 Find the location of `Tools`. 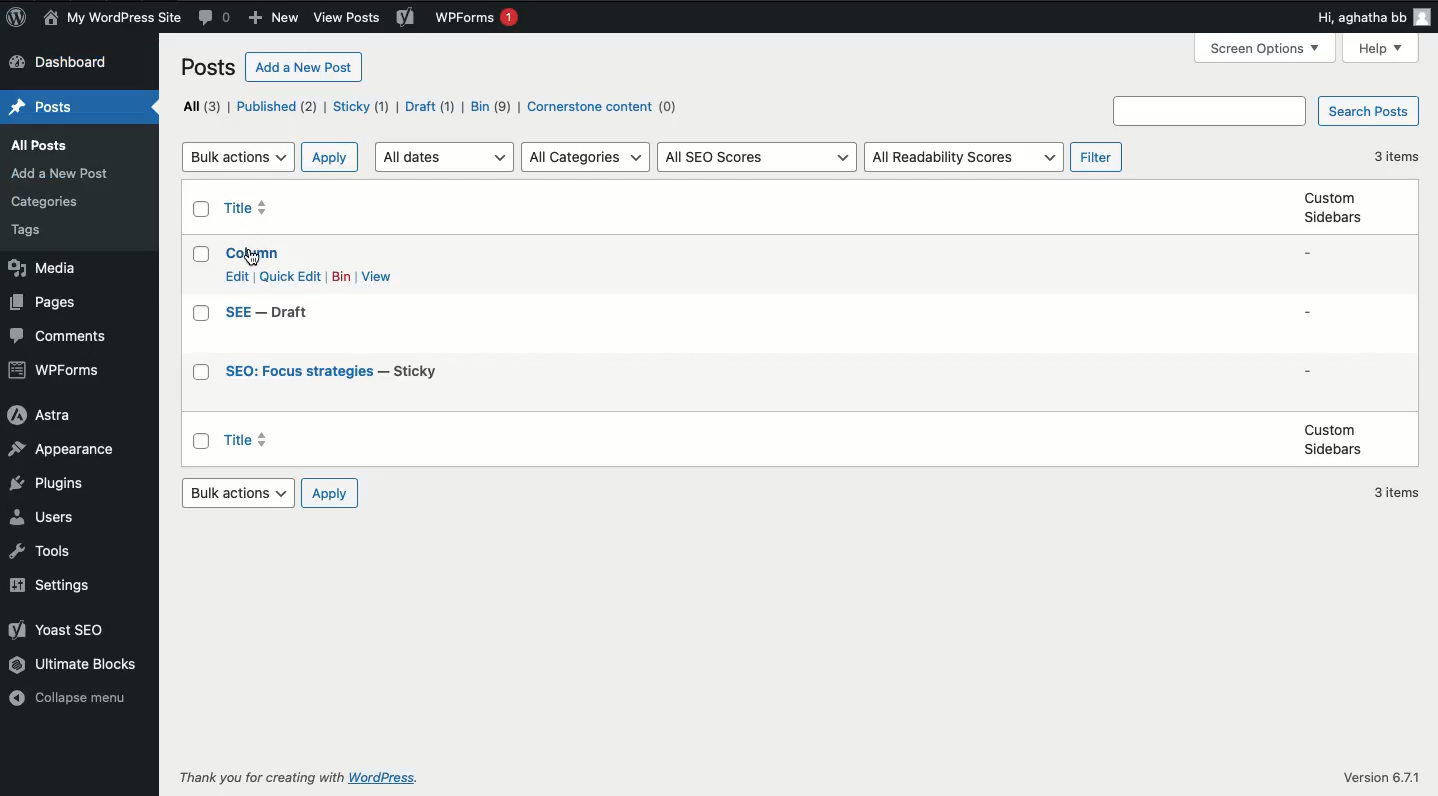

Tools is located at coordinates (41, 553).